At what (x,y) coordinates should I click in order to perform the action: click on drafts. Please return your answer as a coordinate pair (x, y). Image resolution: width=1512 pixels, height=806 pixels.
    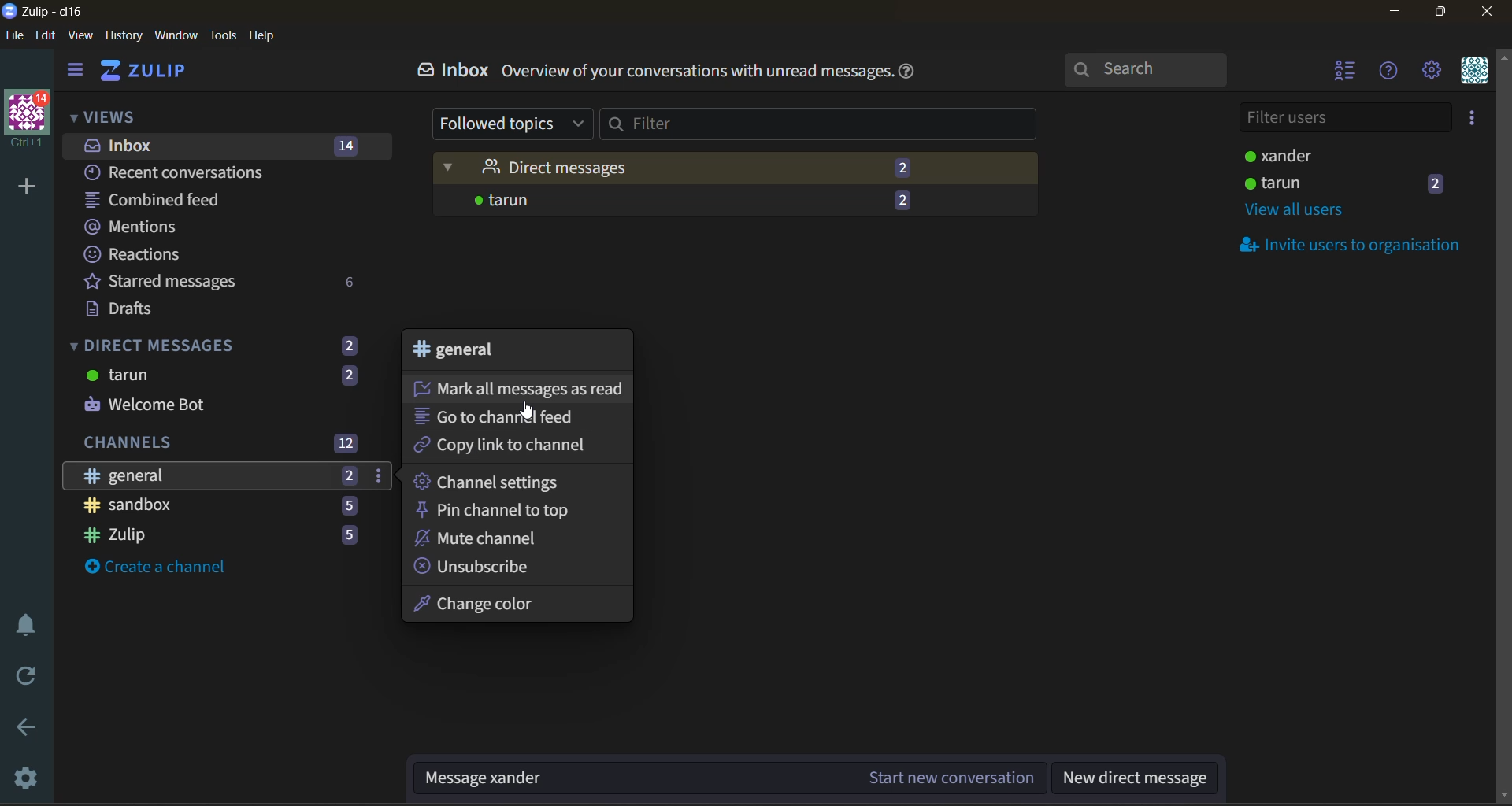
    Looking at the image, I should click on (171, 310).